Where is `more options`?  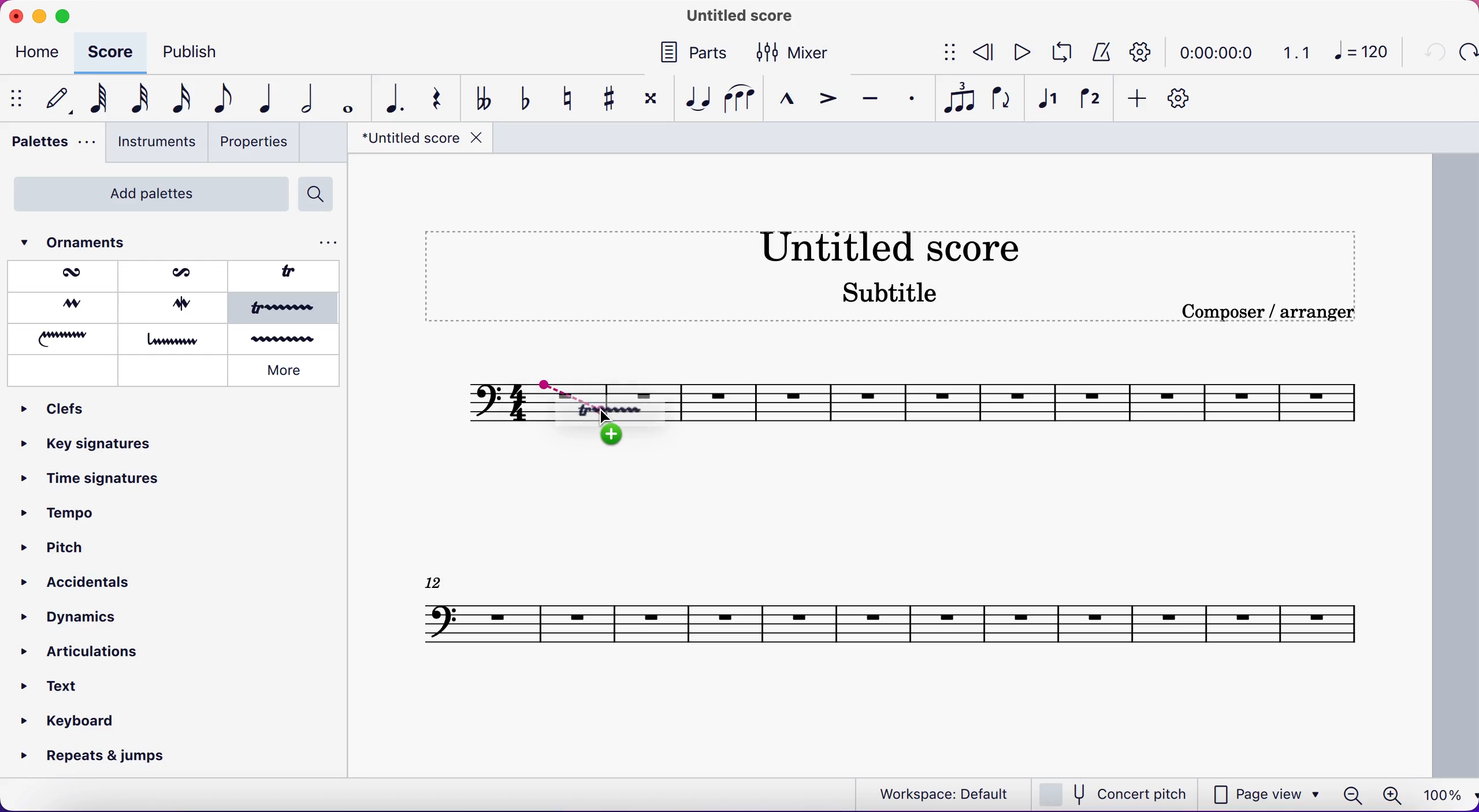 more options is located at coordinates (326, 243).